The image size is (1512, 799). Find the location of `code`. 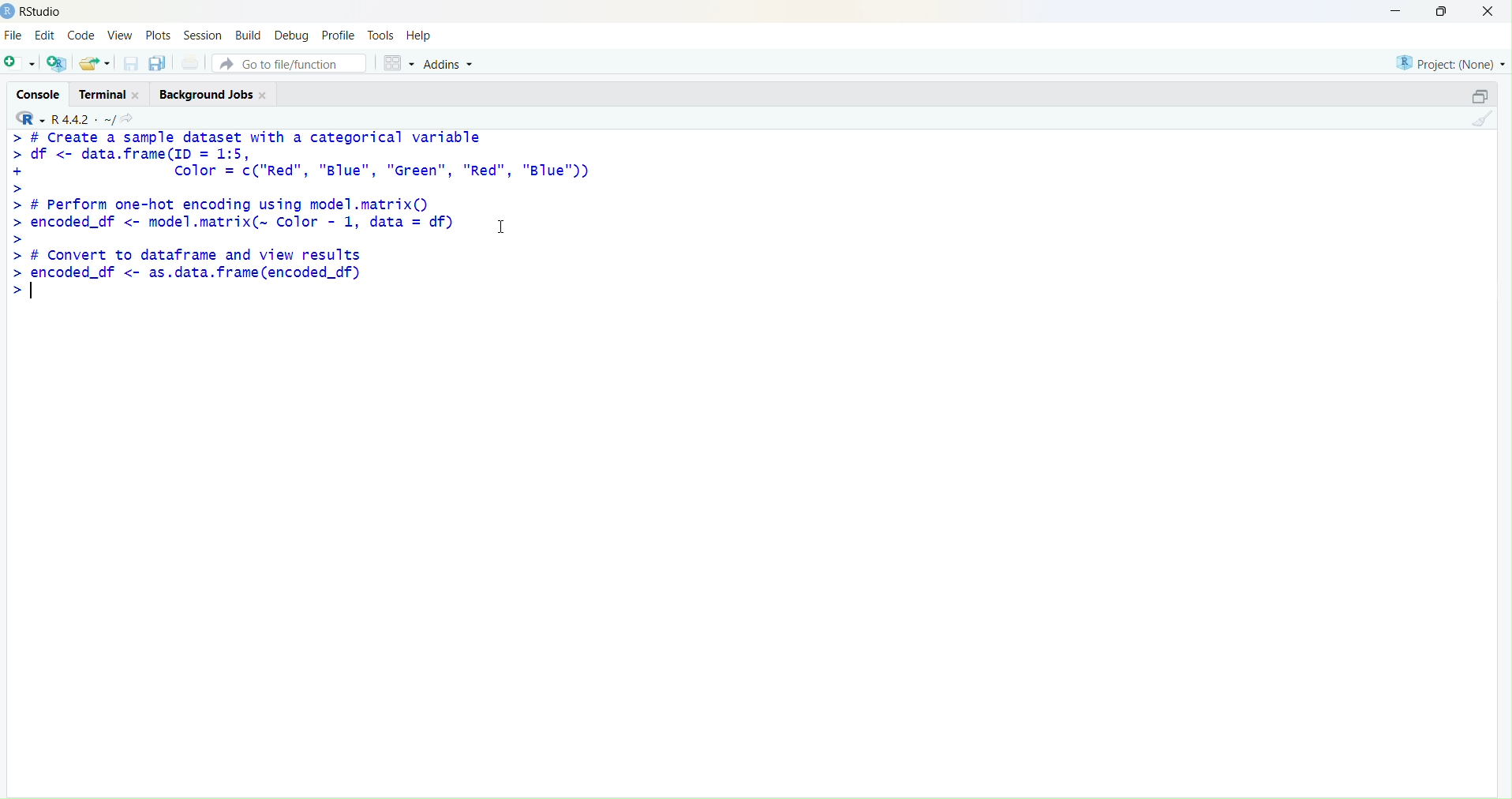

code is located at coordinates (81, 36).